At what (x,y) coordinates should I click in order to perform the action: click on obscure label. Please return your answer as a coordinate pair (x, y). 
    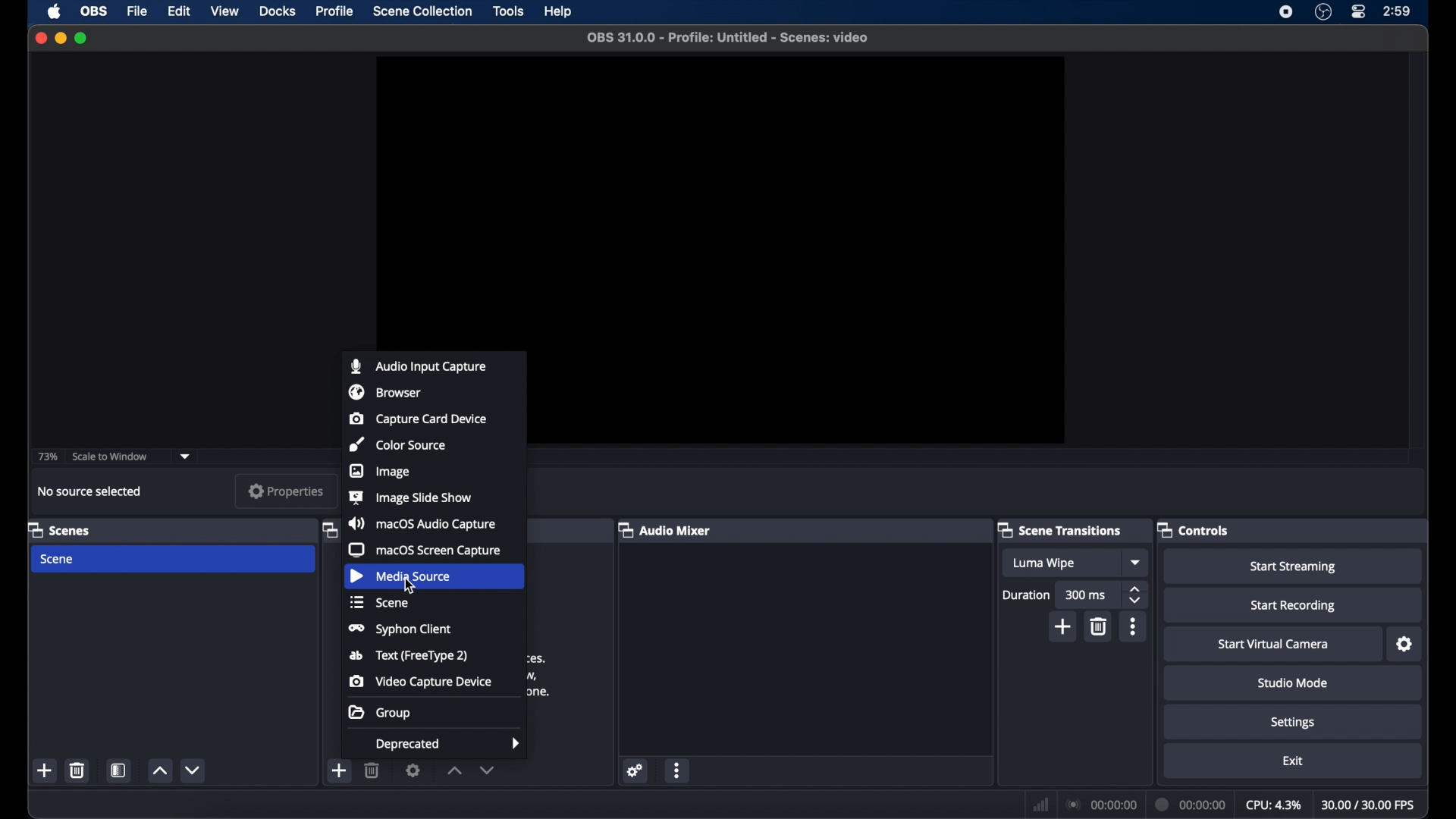
    Looking at the image, I should click on (328, 529).